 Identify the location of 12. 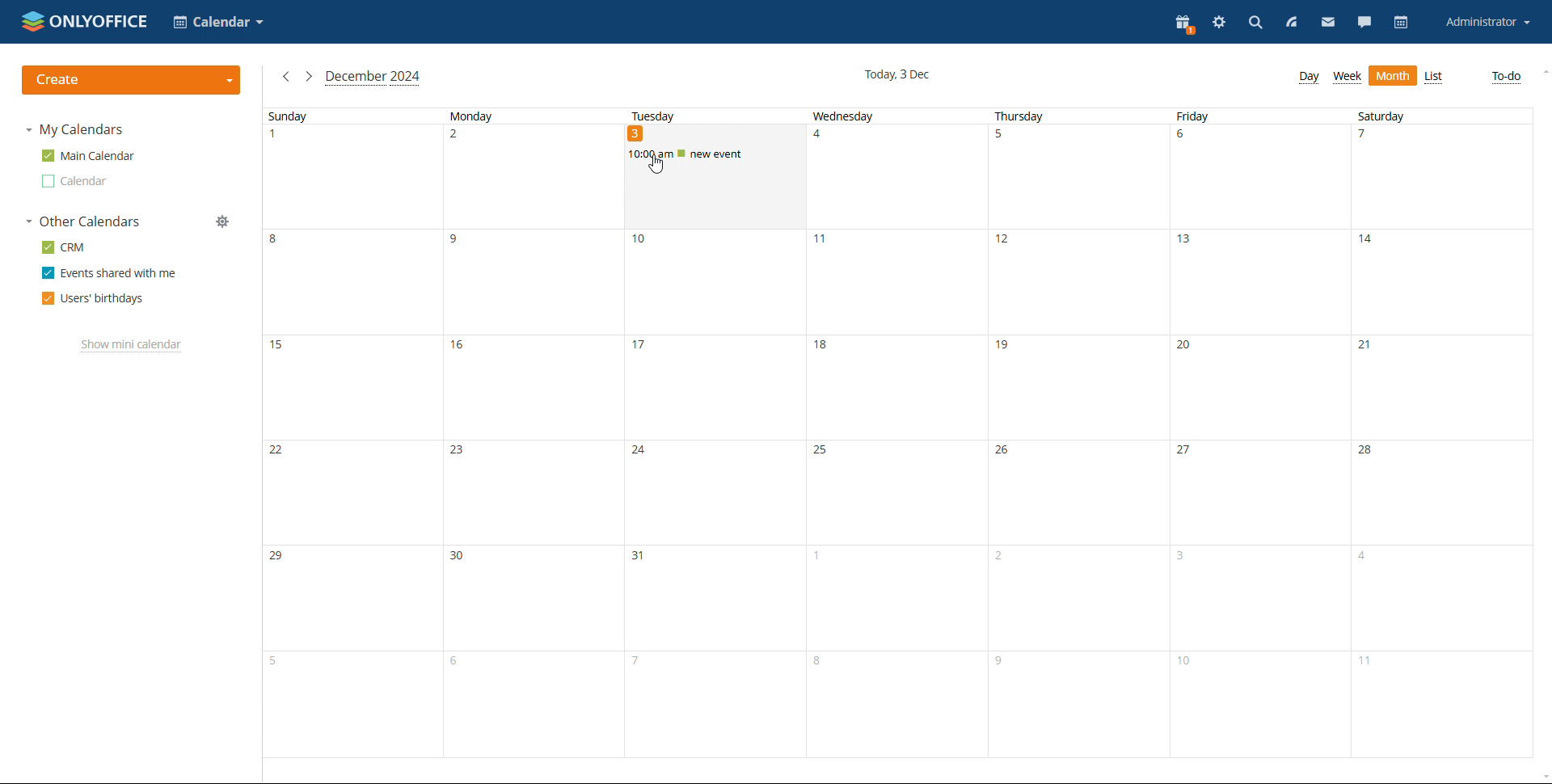
(1075, 282).